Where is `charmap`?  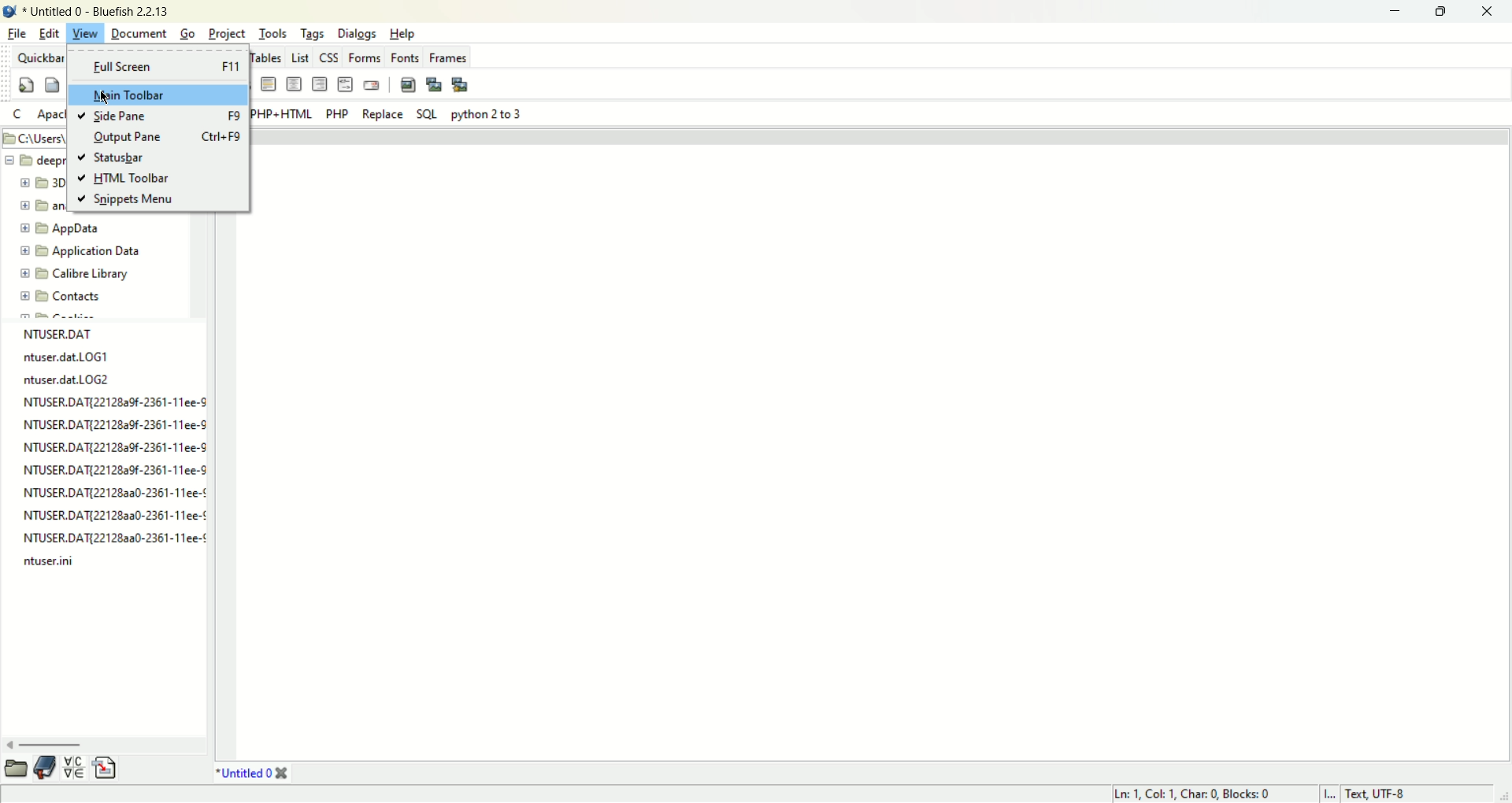
charmap is located at coordinates (73, 770).